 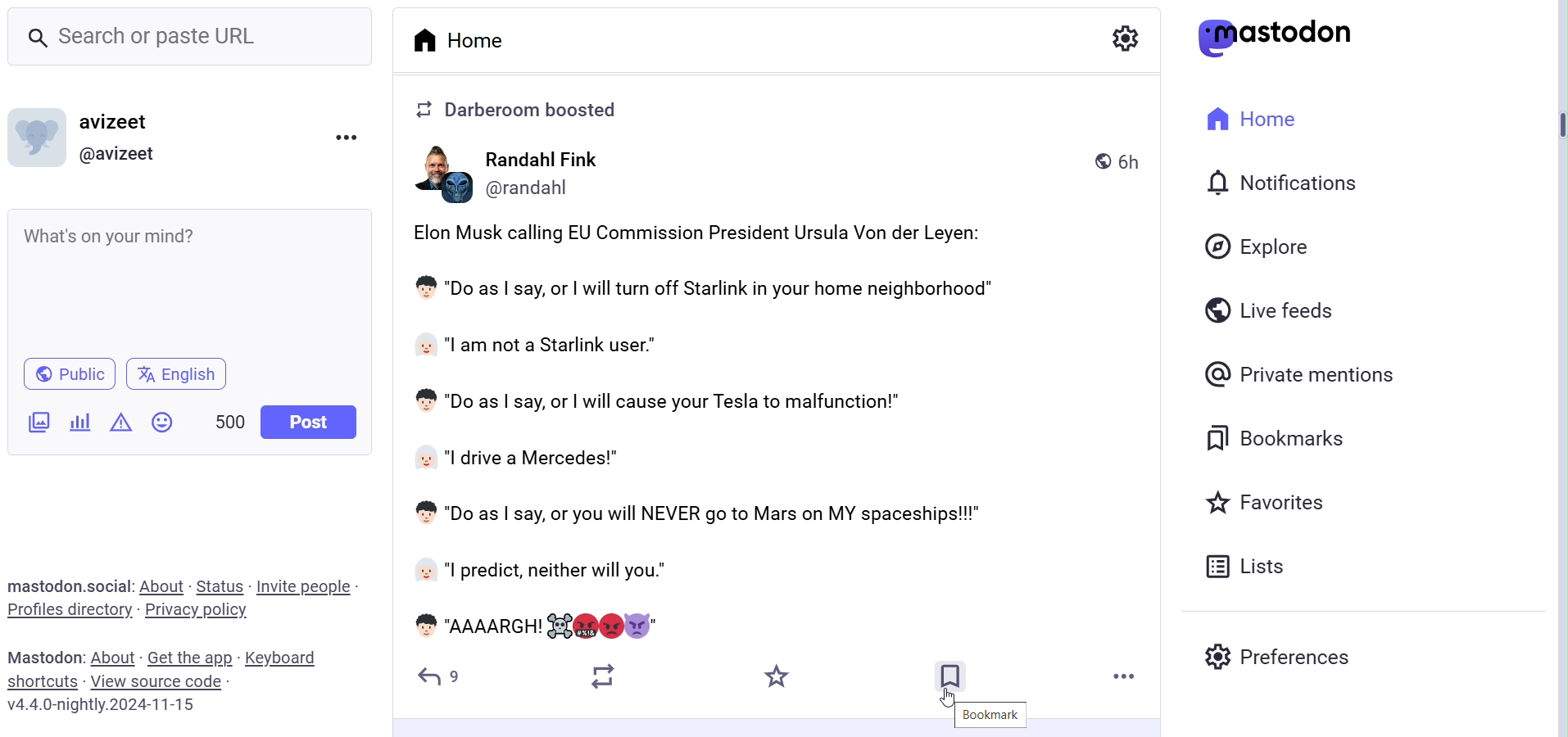 What do you see at coordinates (946, 697) in the screenshot?
I see `cursor` at bounding box center [946, 697].